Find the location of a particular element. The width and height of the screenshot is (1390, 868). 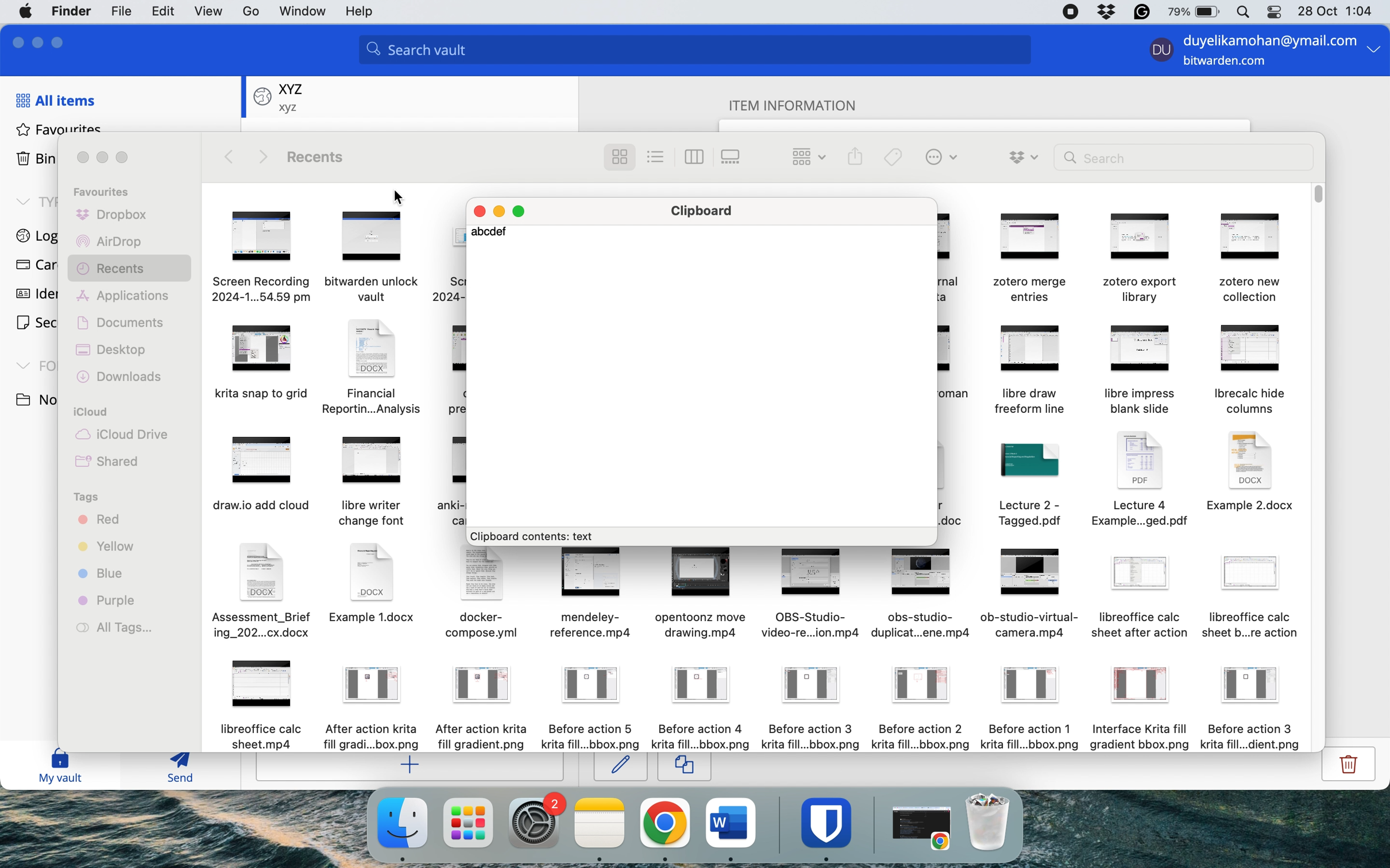

edit is located at coordinates (620, 767).